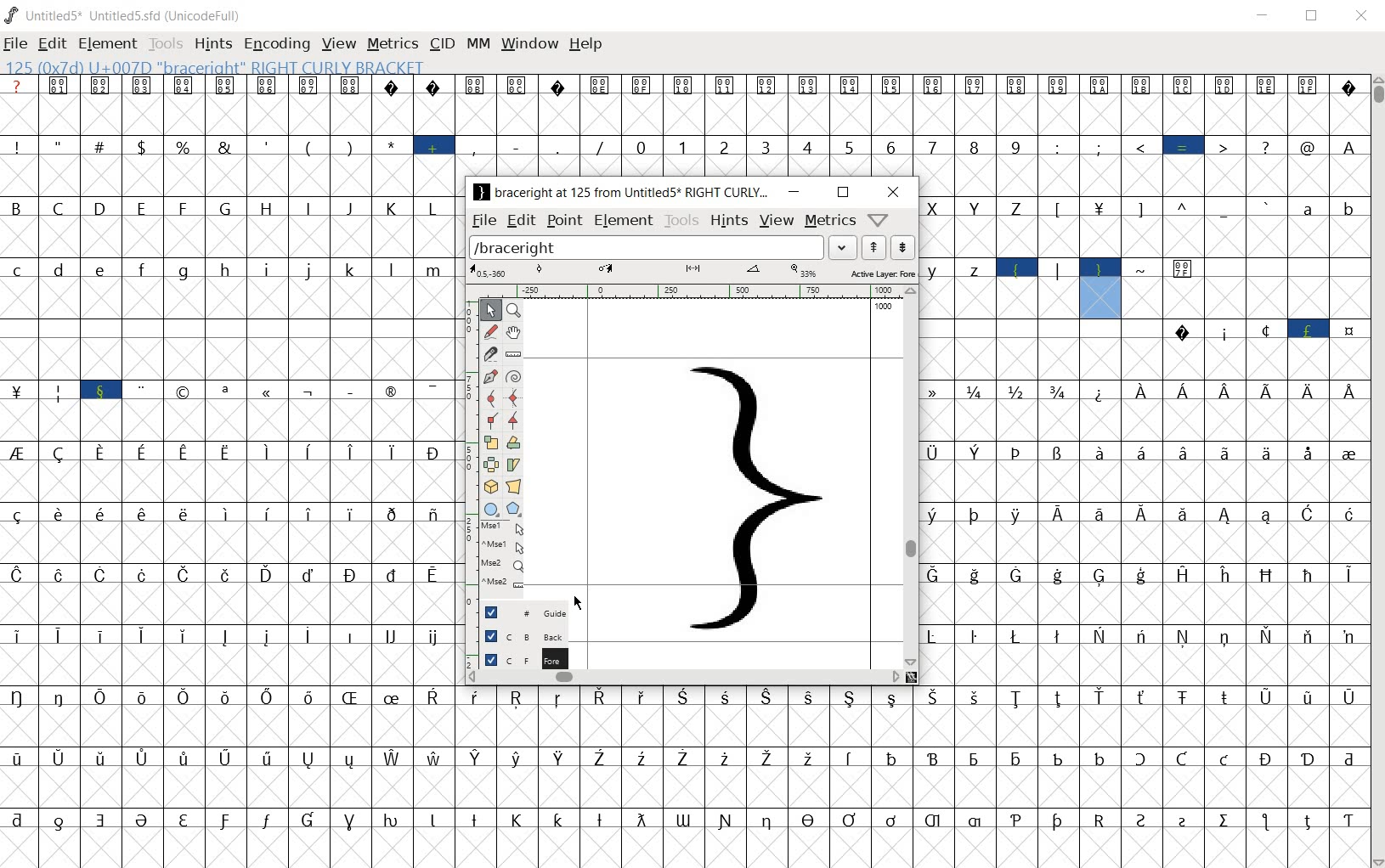 Image resolution: width=1385 pixels, height=868 pixels. I want to click on metrics, so click(829, 222).